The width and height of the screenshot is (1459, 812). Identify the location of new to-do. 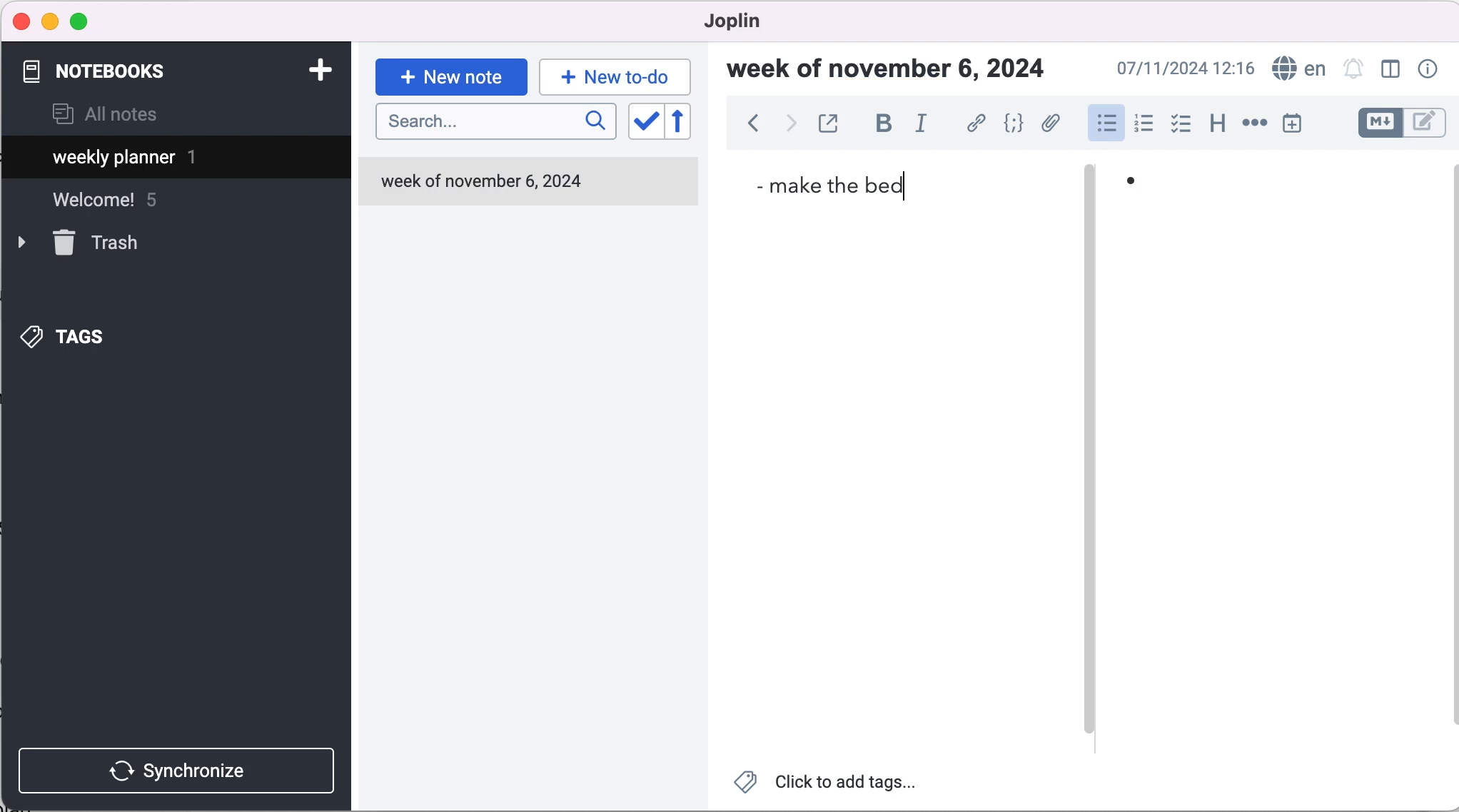
(612, 76).